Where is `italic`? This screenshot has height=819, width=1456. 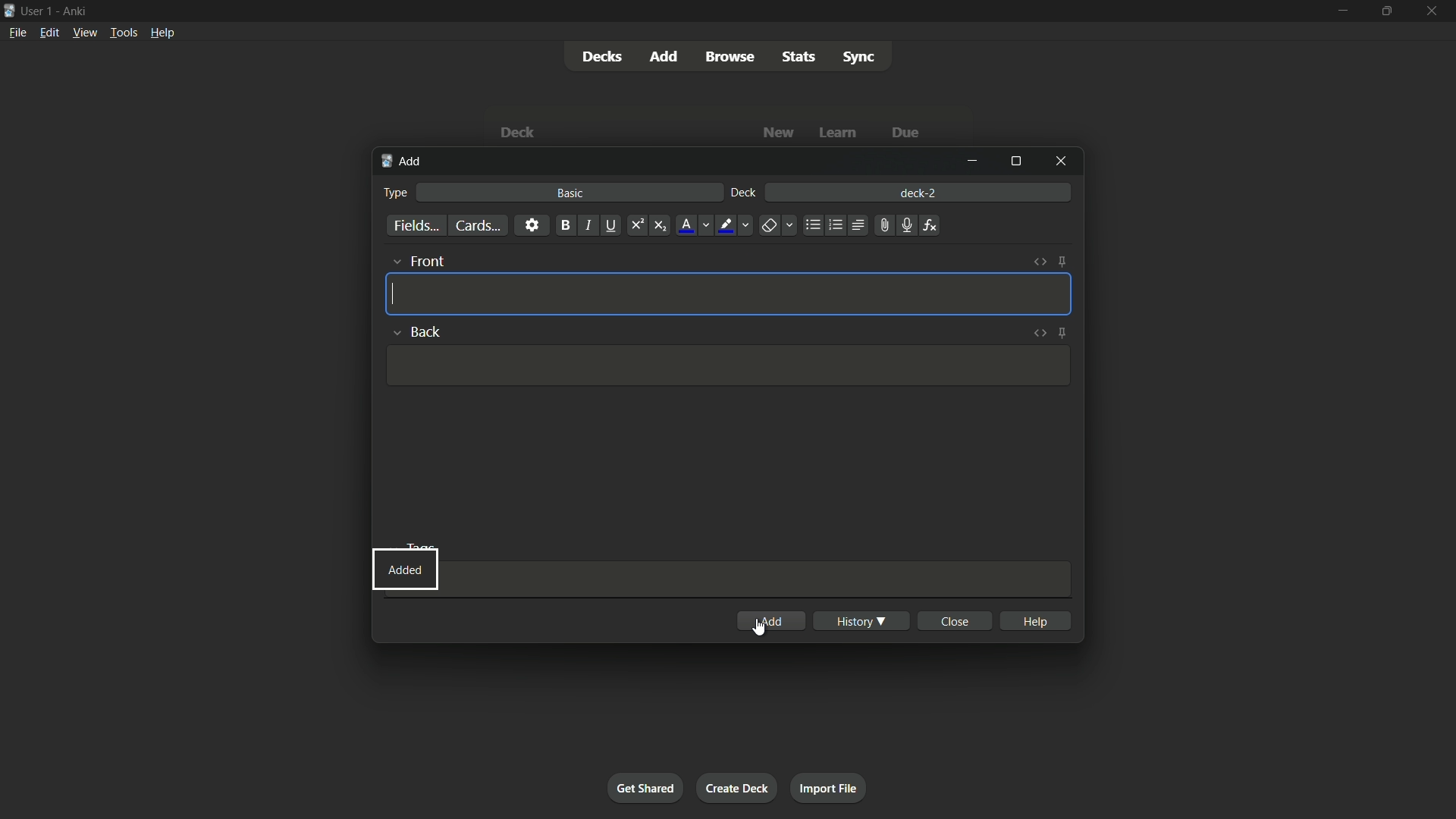
italic is located at coordinates (587, 226).